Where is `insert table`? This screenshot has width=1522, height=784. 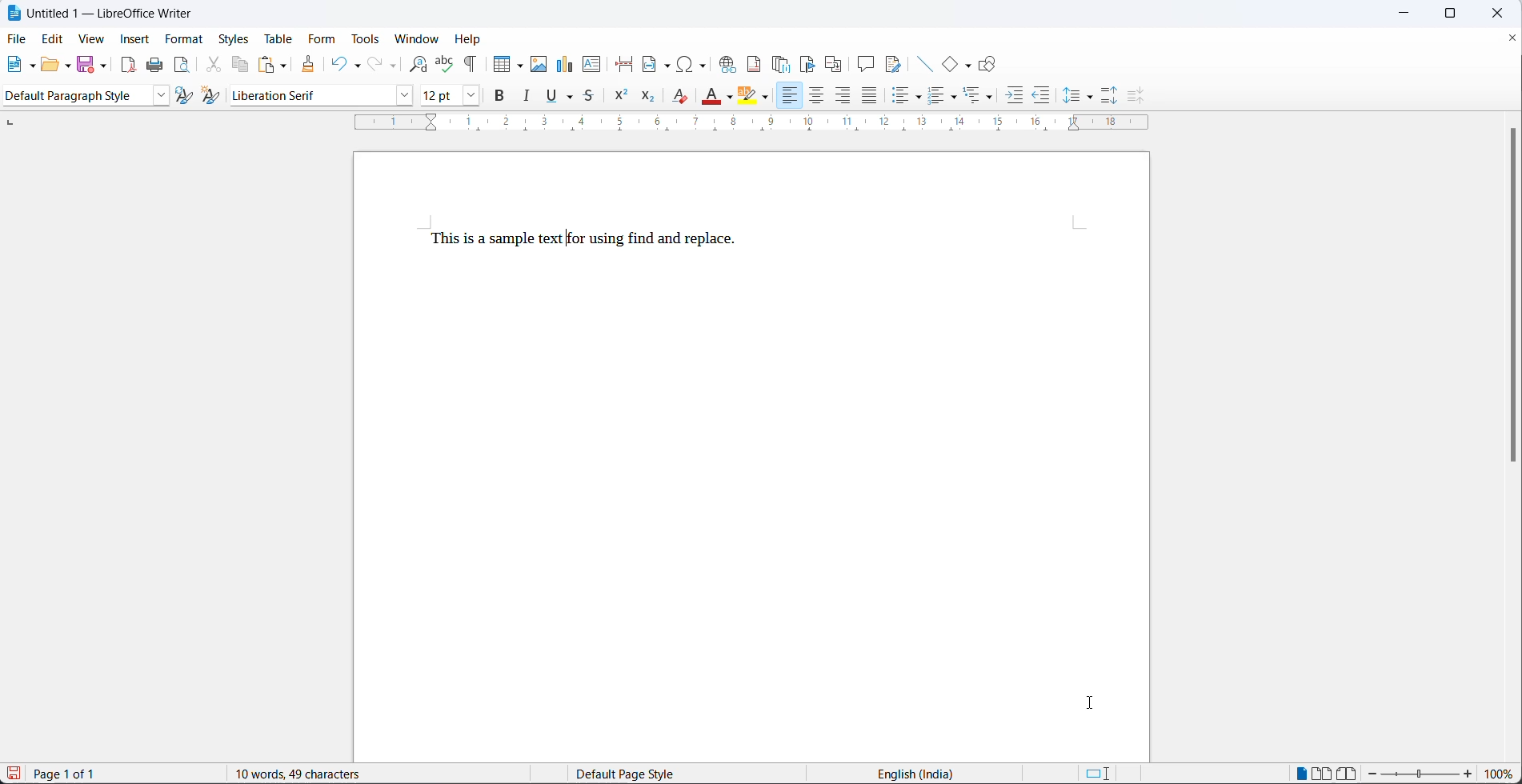
insert table is located at coordinates (508, 59).